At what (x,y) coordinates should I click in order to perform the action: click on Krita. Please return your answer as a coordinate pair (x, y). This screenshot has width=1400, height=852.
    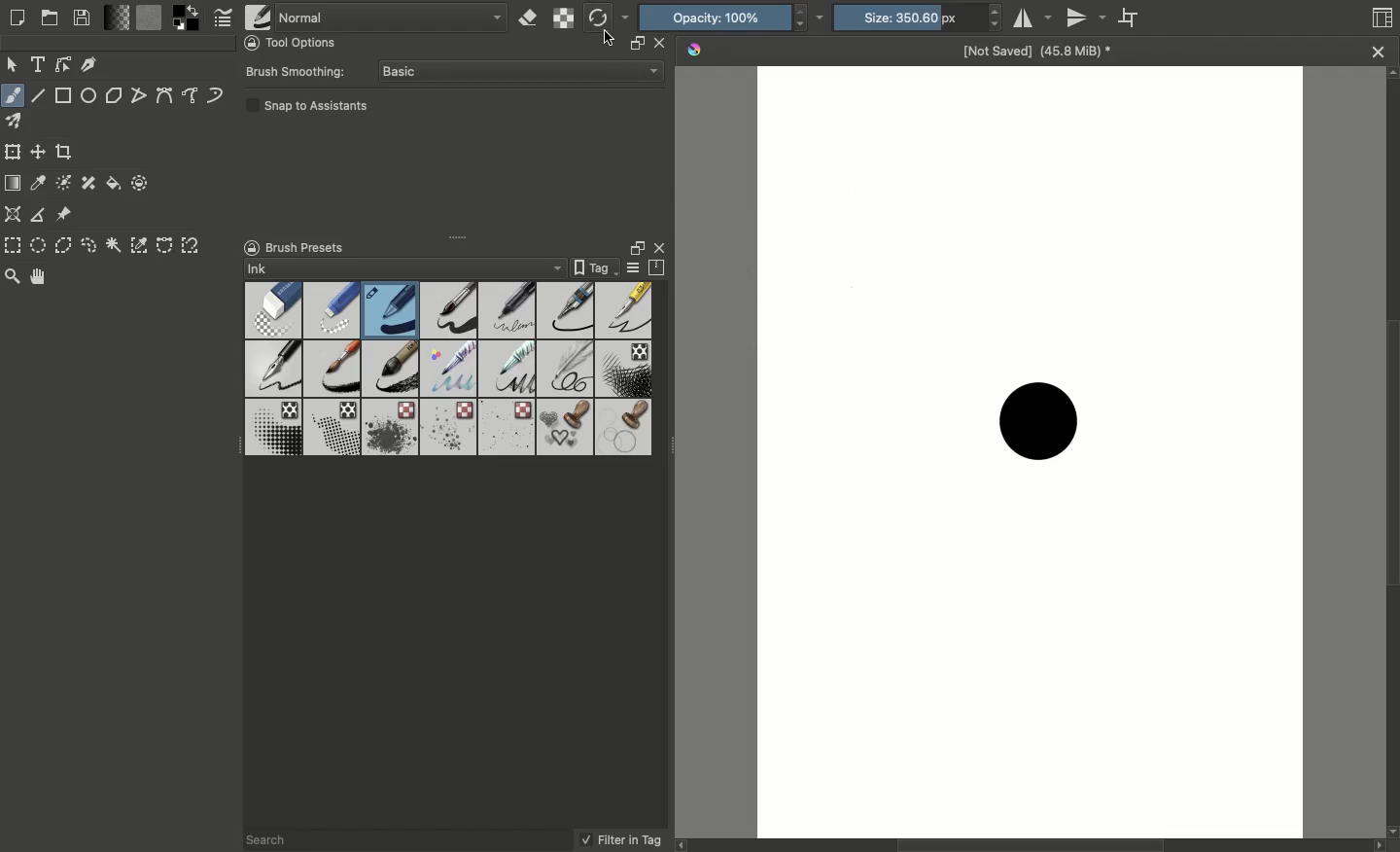
    Looking at the image, I should click on (695, 51).